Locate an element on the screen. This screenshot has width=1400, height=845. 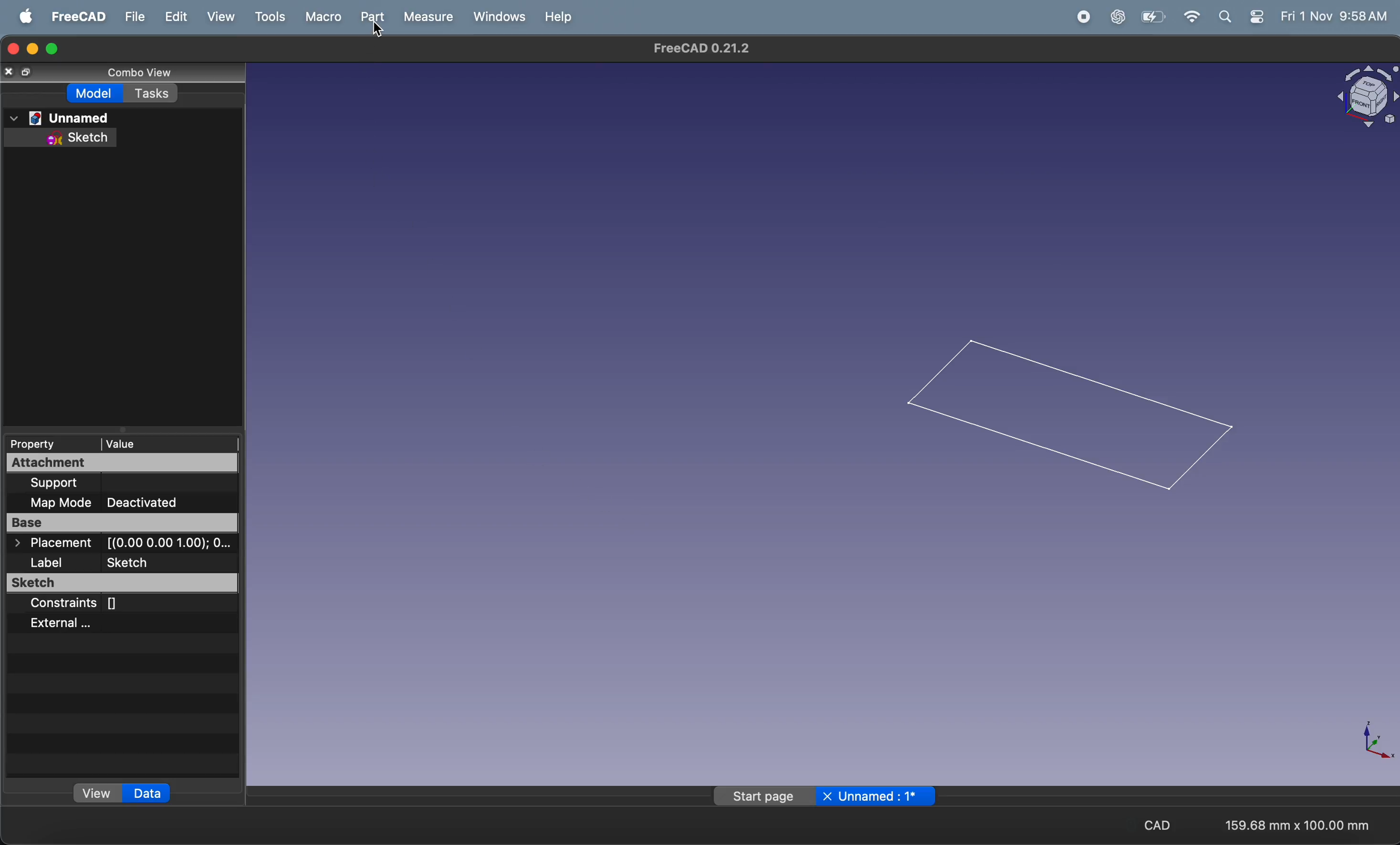
constraints is located at coordinates (86, 604).